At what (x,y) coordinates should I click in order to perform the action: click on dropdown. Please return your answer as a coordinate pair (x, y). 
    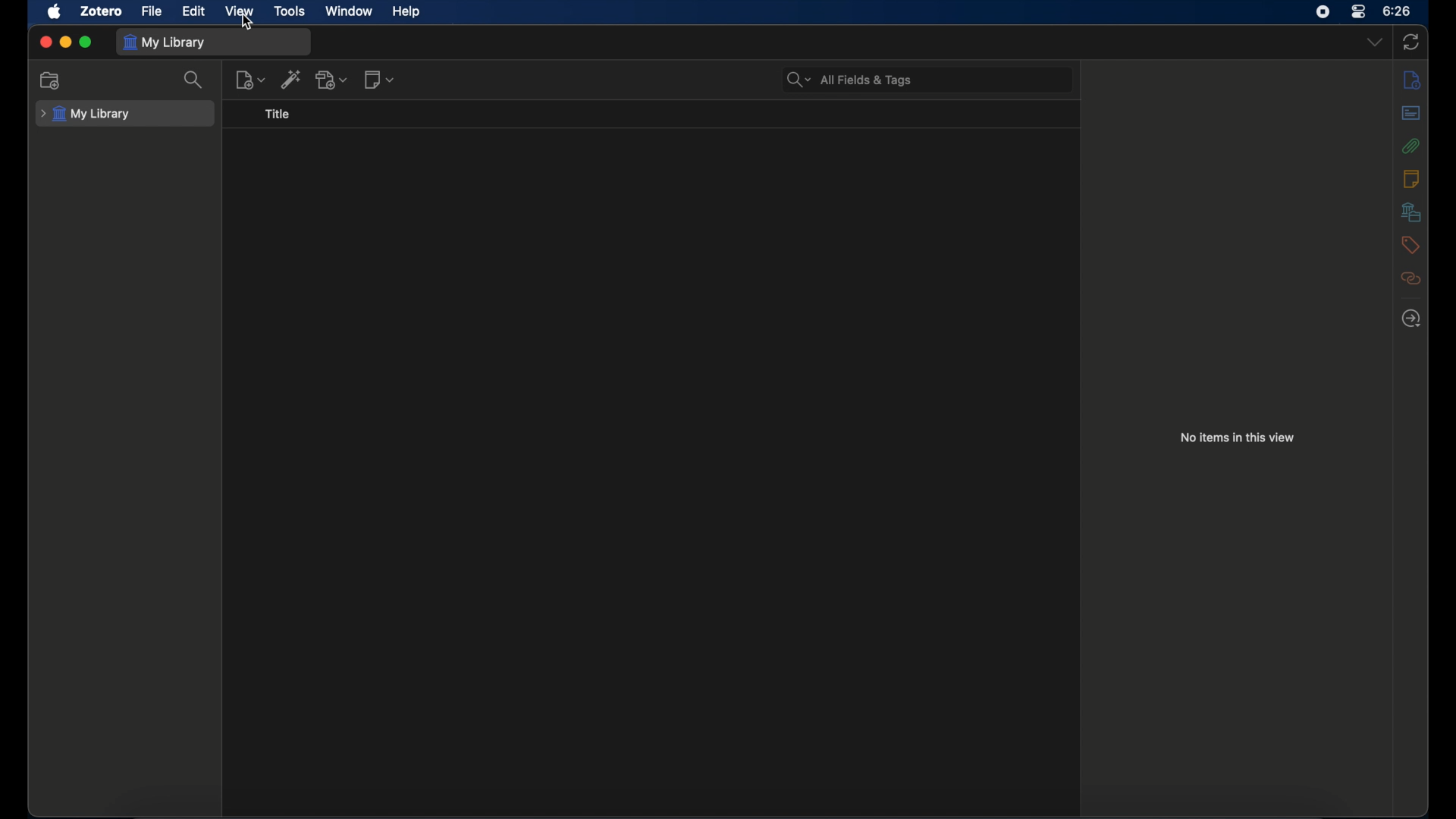
    Looking at the image, I should click on (1375, 42).